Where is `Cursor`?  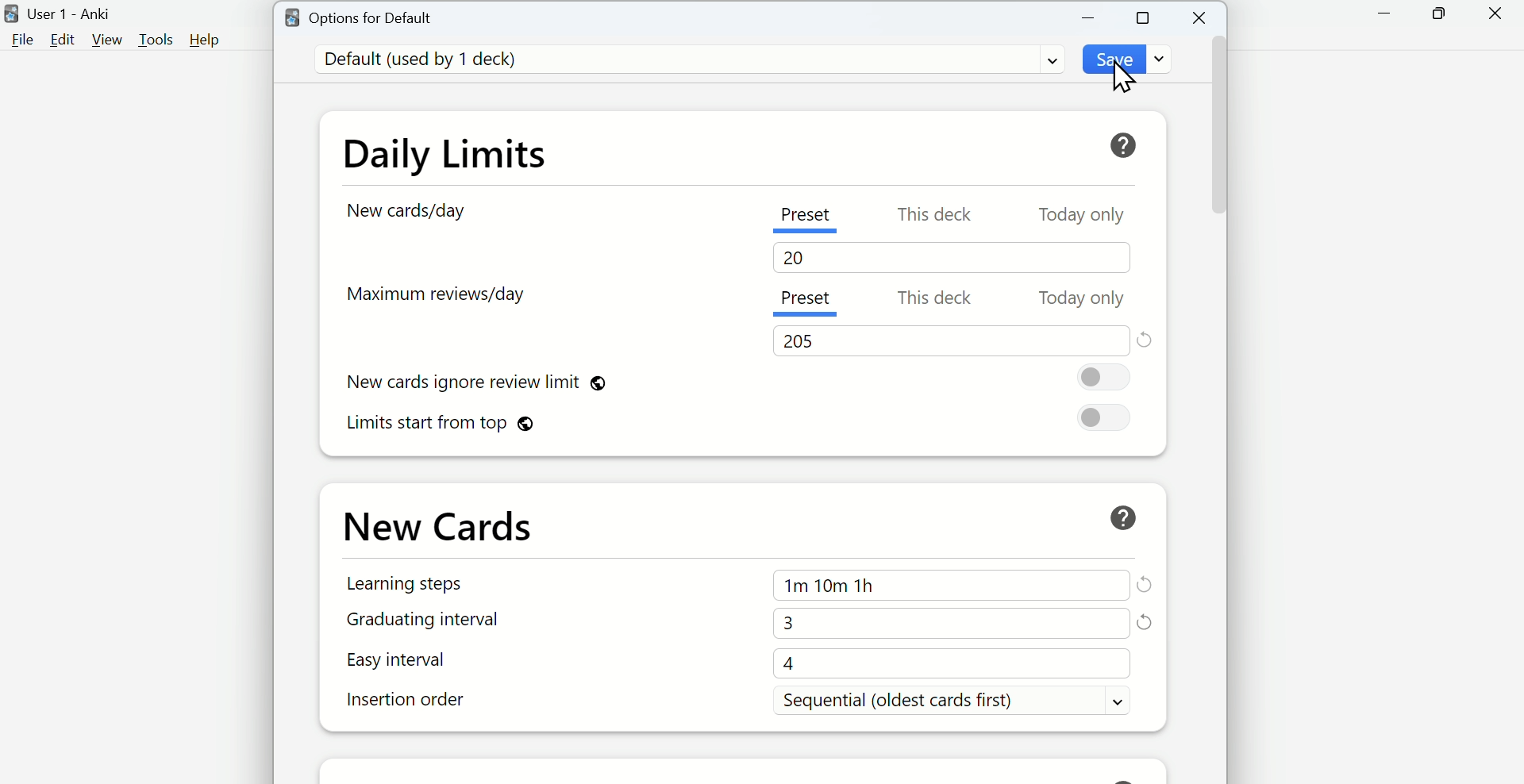
Cursor is located at coordinates (1122, 78).